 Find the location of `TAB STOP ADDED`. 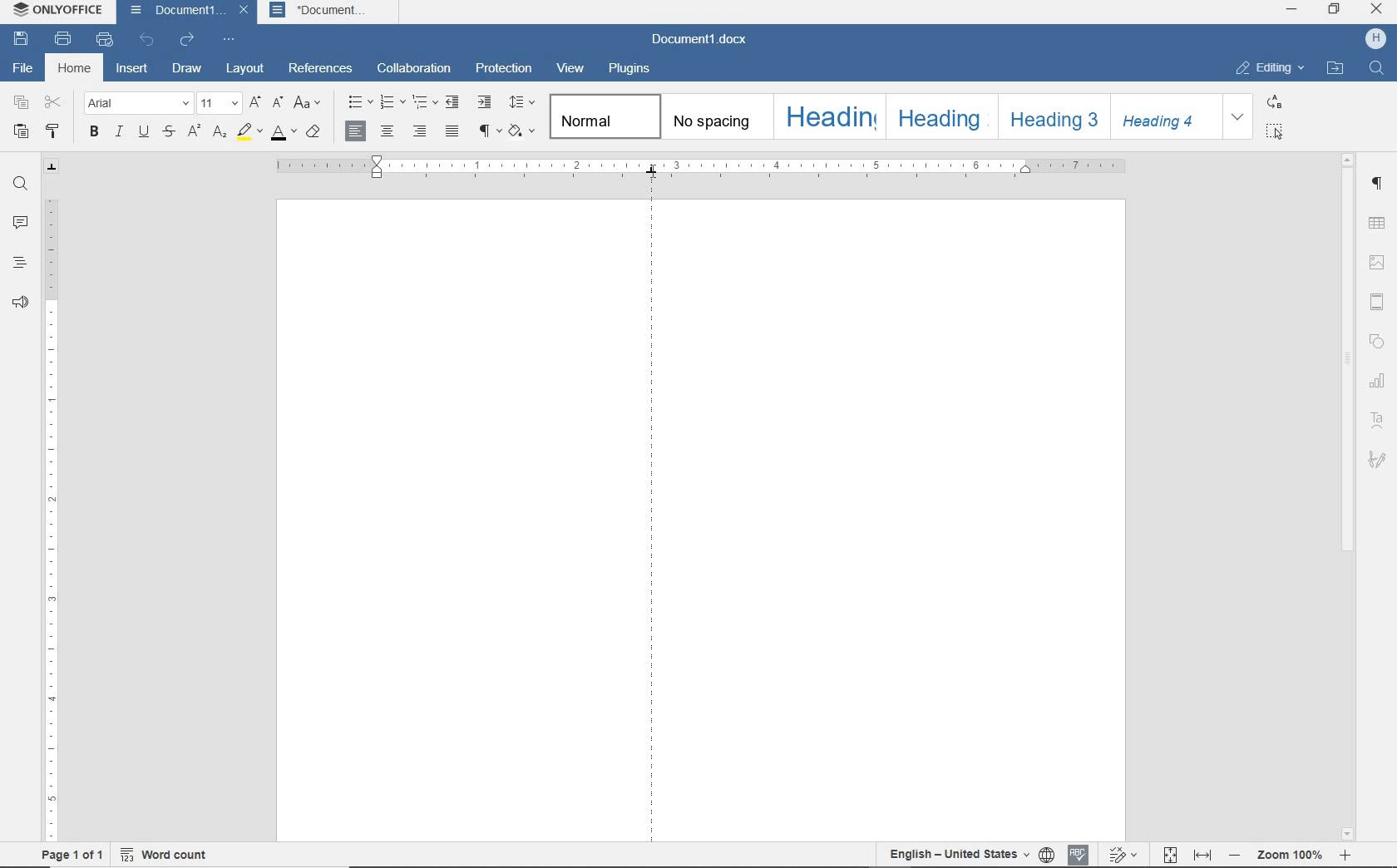

TAB STOP ADDED is located at coordinates (652, 510).